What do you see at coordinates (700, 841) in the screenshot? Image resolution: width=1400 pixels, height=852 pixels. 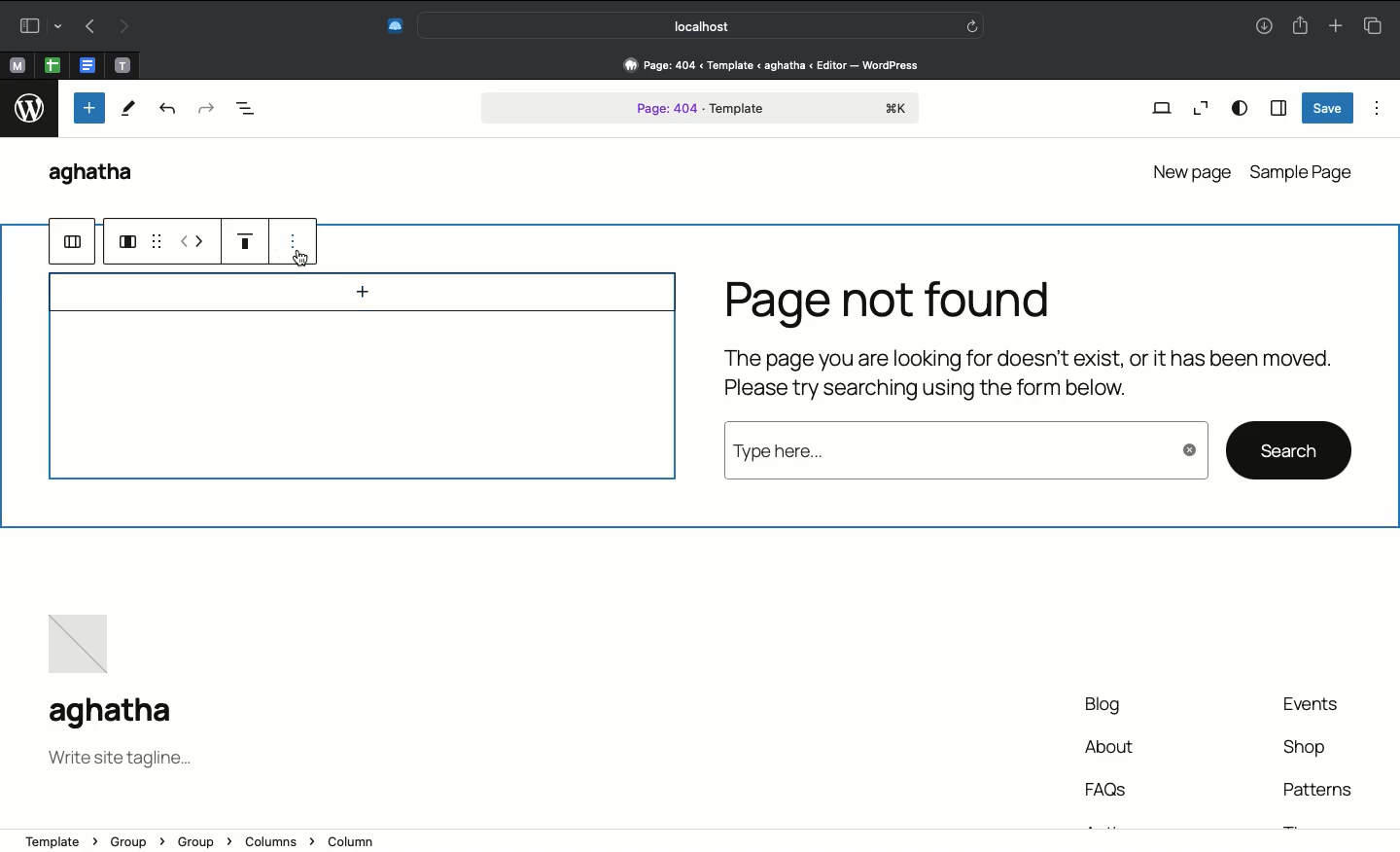 I see `Address` at bounding box center [700, 841].